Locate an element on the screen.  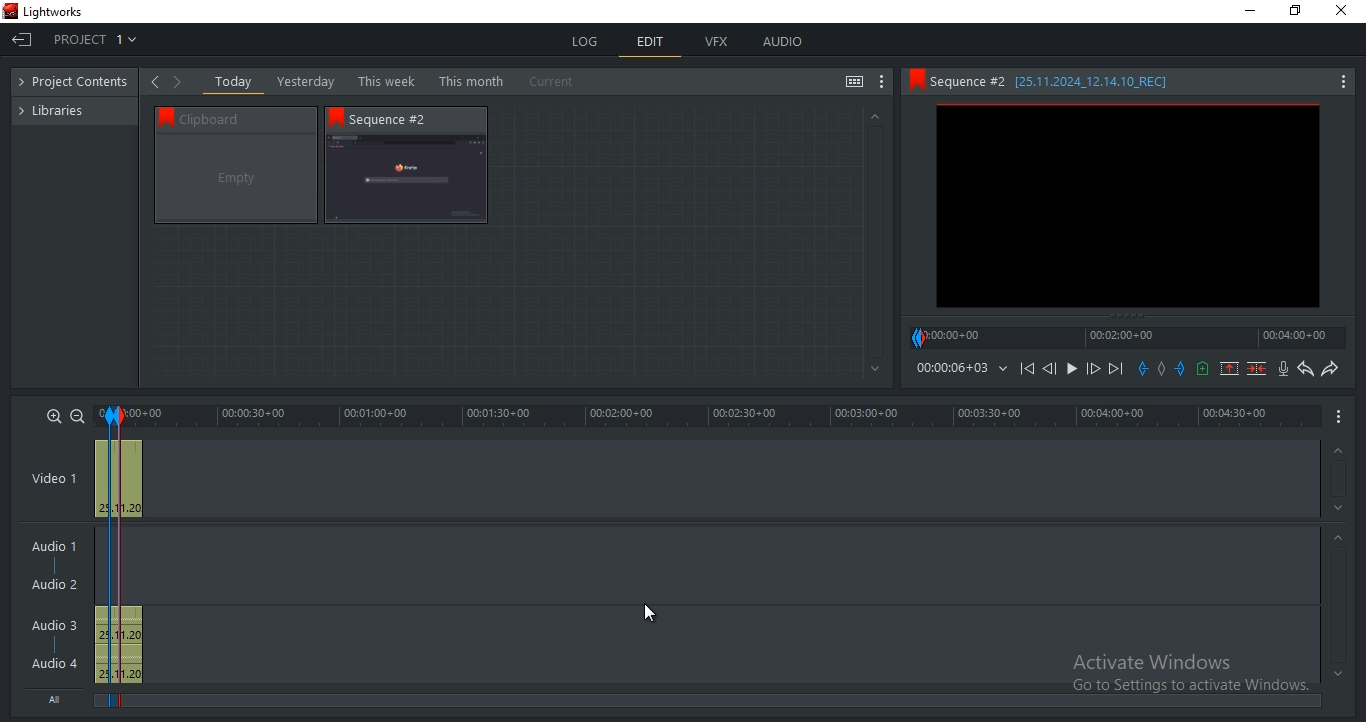
show menu is located at coordinates (1340, 415).